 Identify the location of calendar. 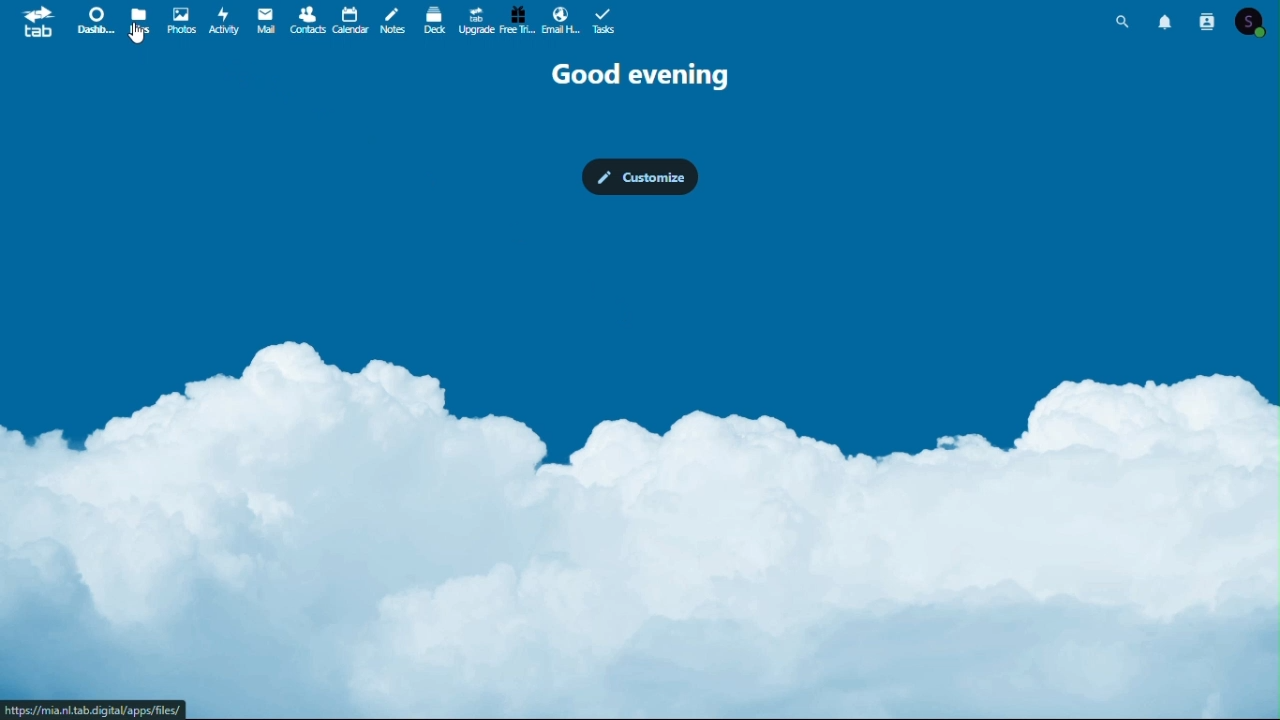
(351, 20).